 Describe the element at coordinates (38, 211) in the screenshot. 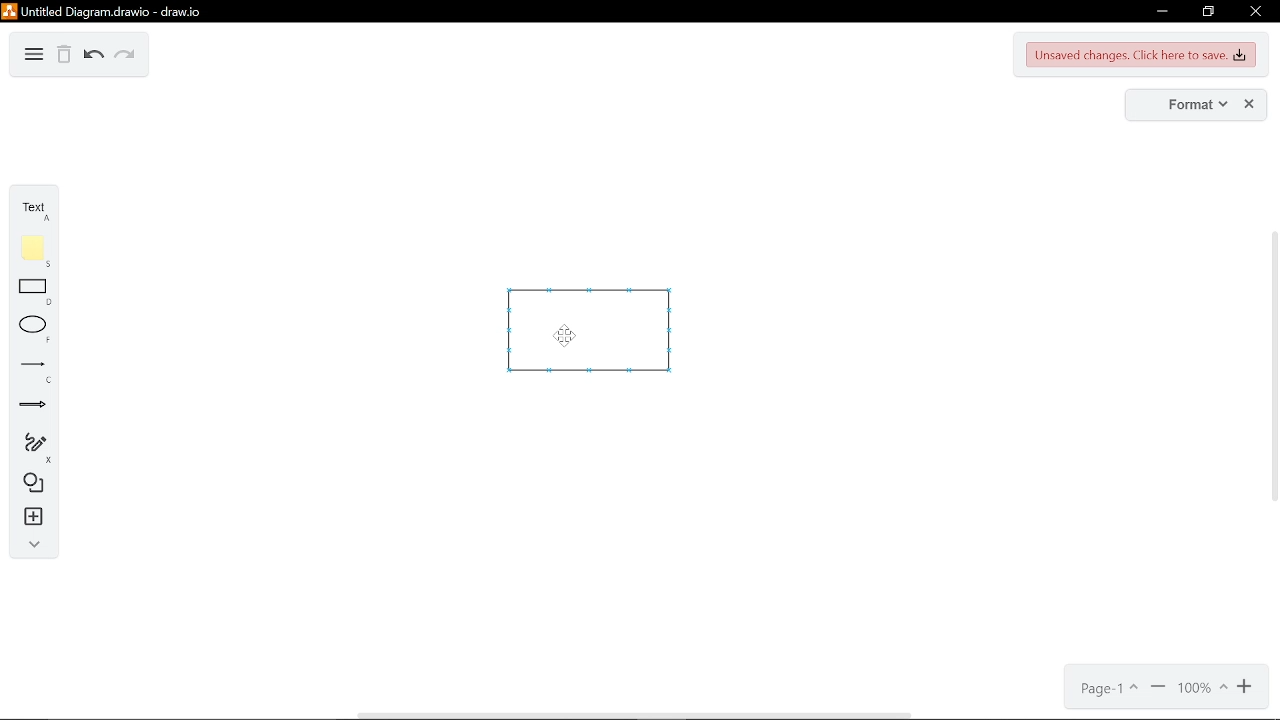

I see `text` at that location.